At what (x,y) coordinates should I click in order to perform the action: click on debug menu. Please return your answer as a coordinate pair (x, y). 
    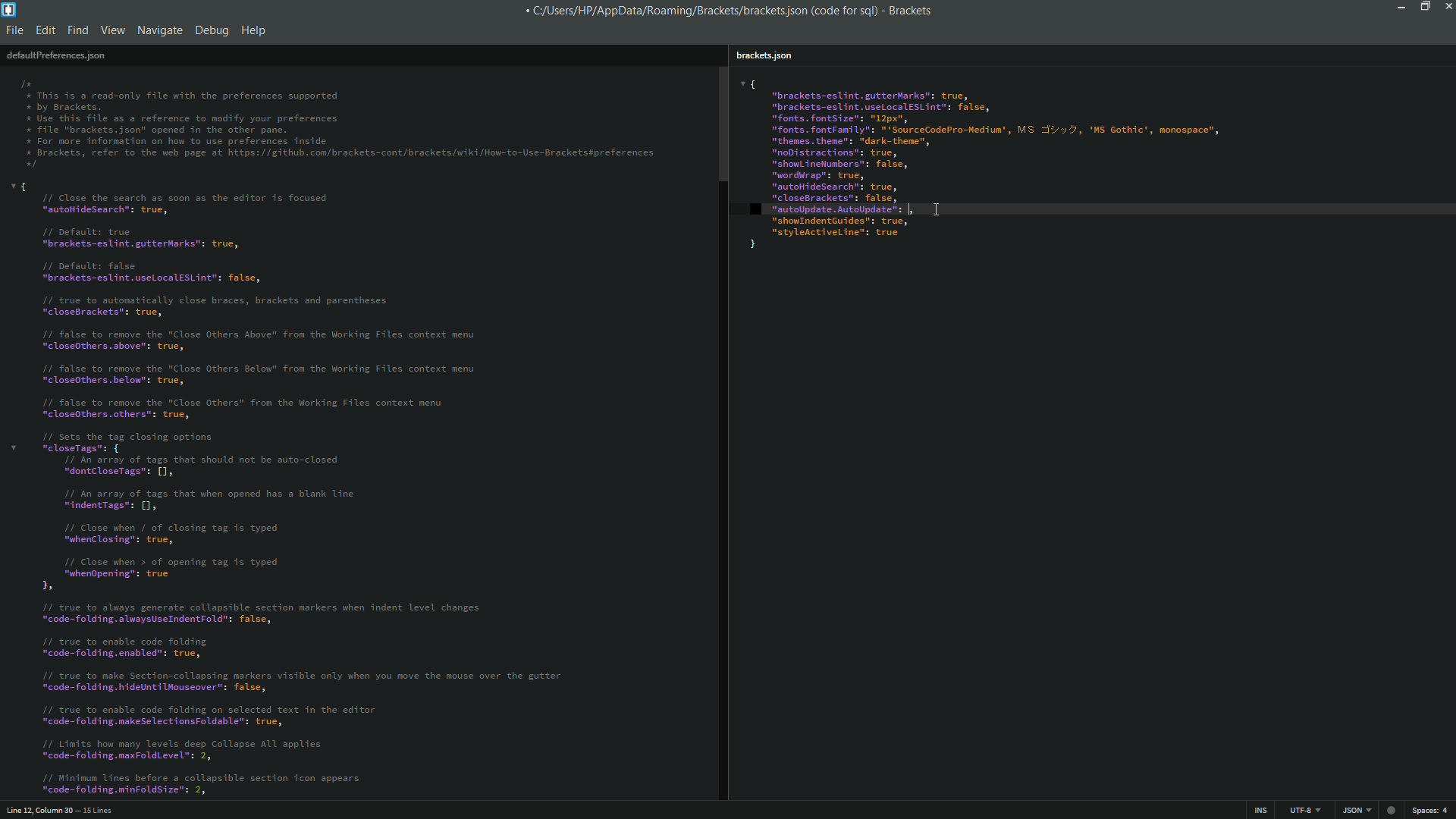
    Looking at the image, I should click on (212, 28).